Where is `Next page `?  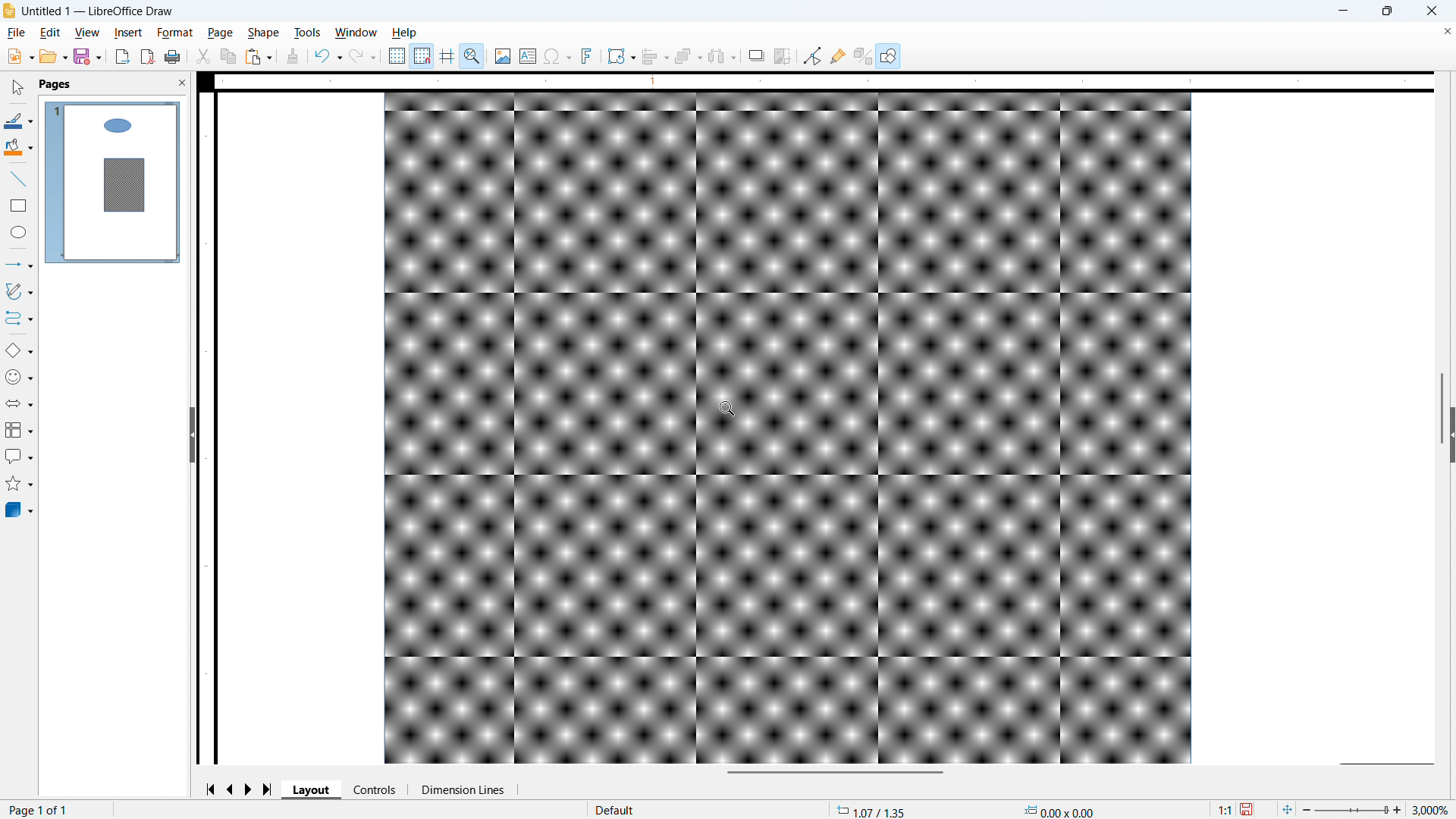 Next page  is located at coordinates (251, 789).